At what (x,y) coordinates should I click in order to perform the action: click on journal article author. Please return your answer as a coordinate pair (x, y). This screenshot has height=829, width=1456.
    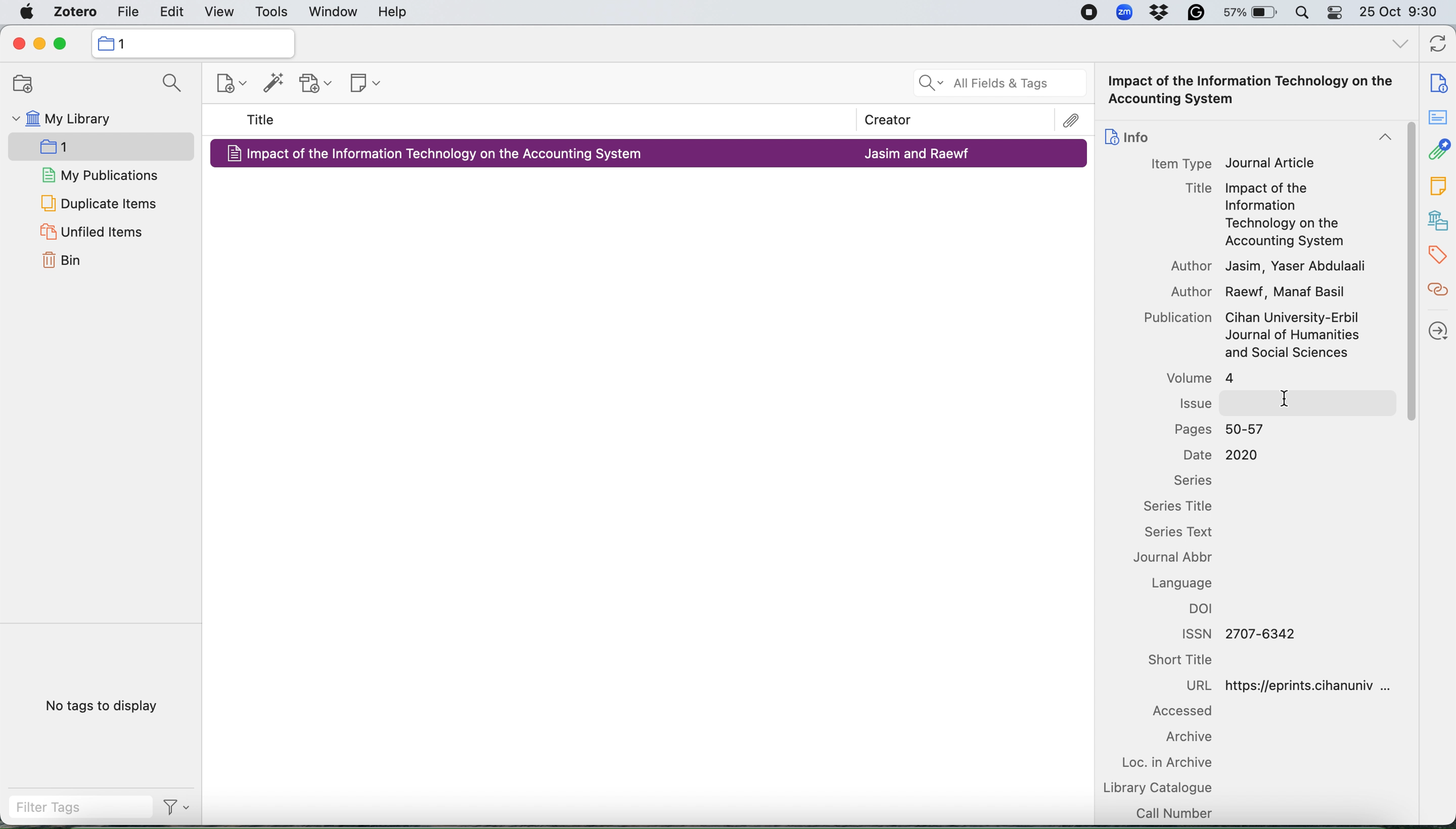
    Looking at the image, I should click on (917, 154).